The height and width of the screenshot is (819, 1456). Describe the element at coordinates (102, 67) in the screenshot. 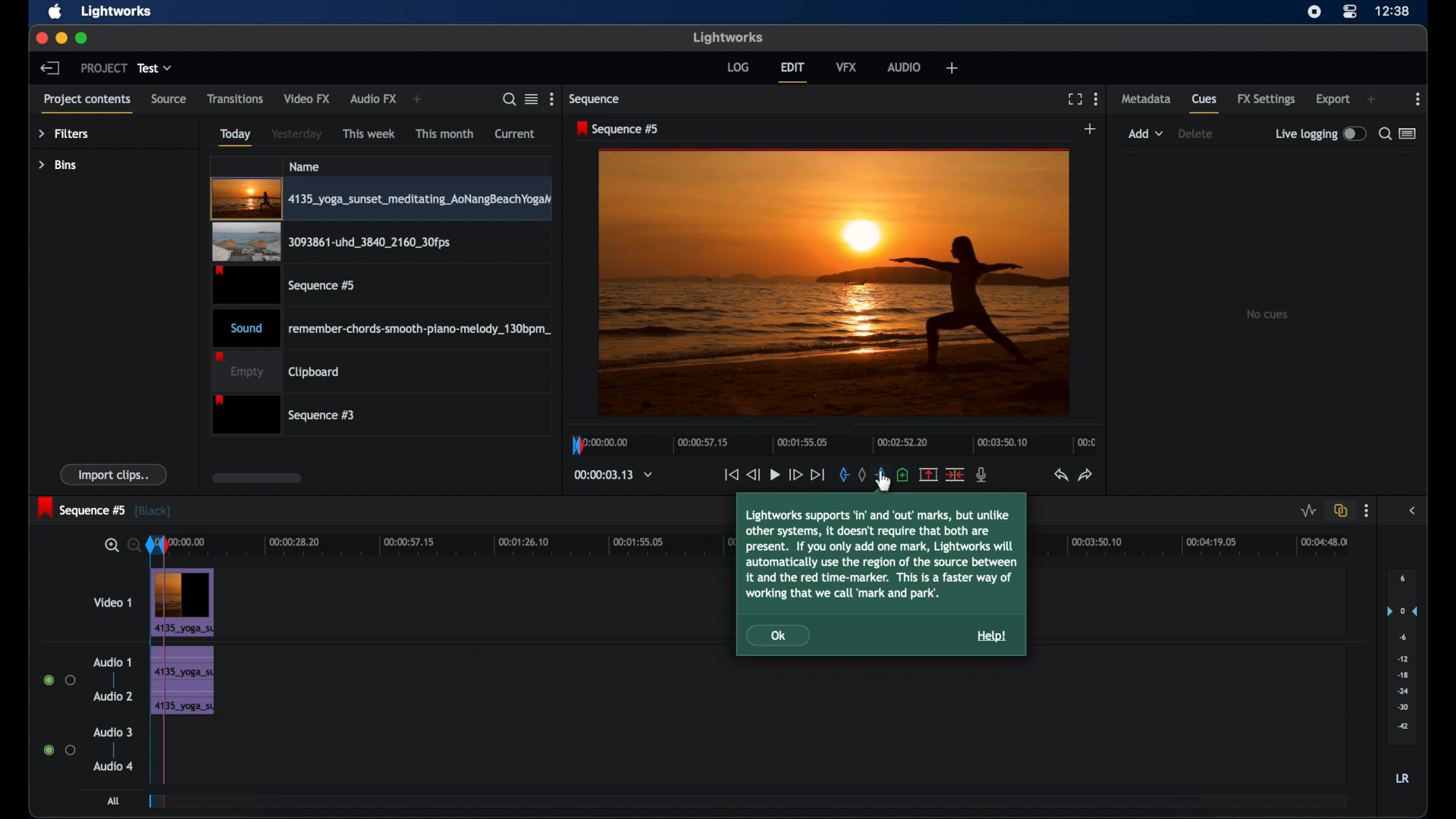

I see `project` at that location.